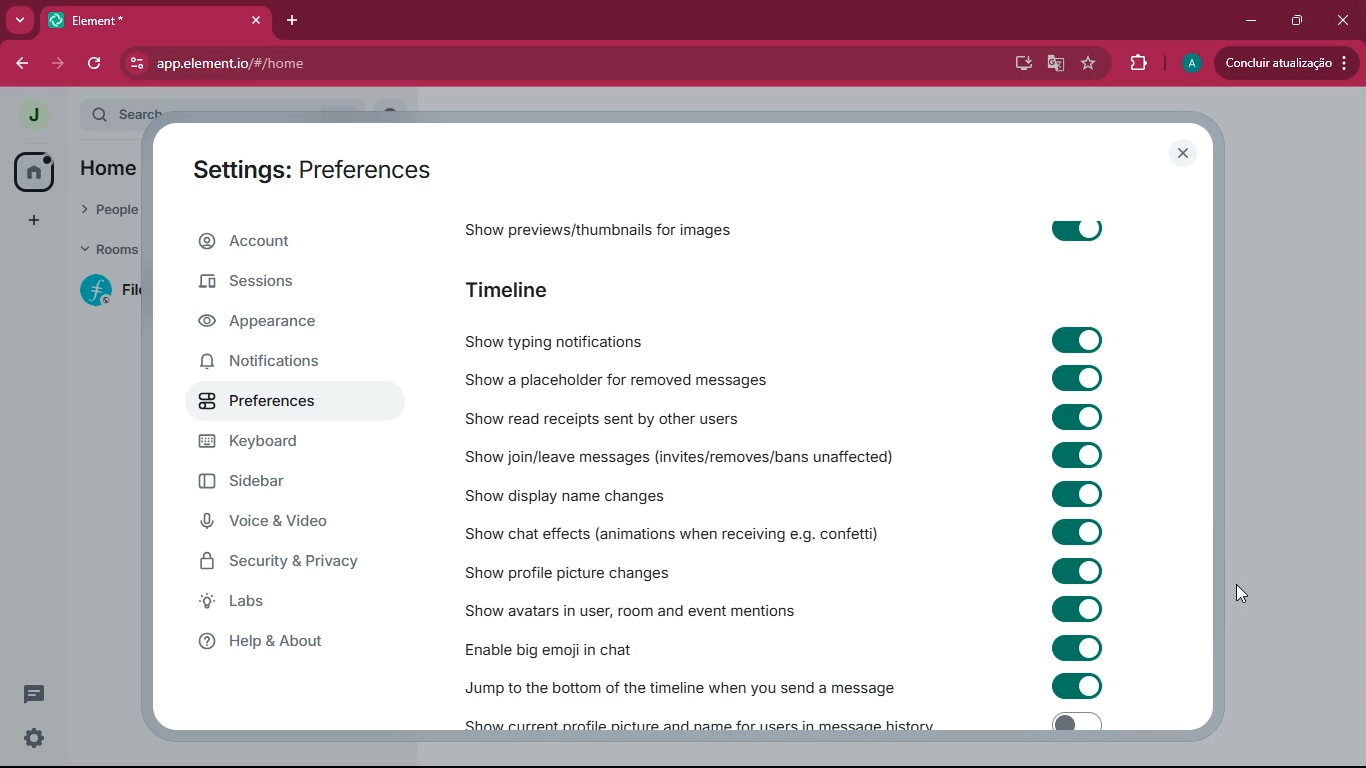  I want to click on A, so click(1189, 61).